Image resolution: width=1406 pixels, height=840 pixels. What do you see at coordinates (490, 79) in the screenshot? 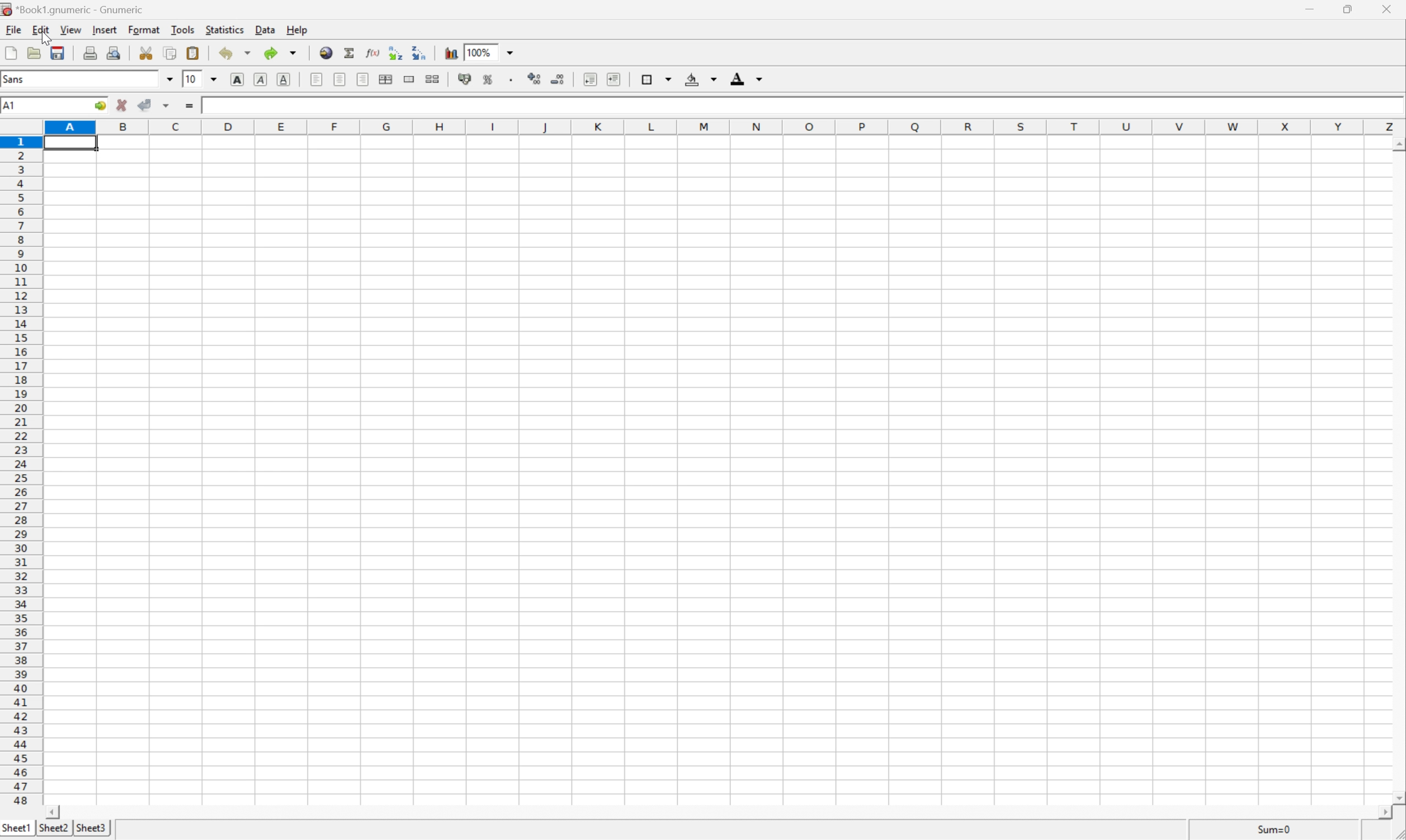
I see `format selection as percentage` at bounding box center [490, 79].